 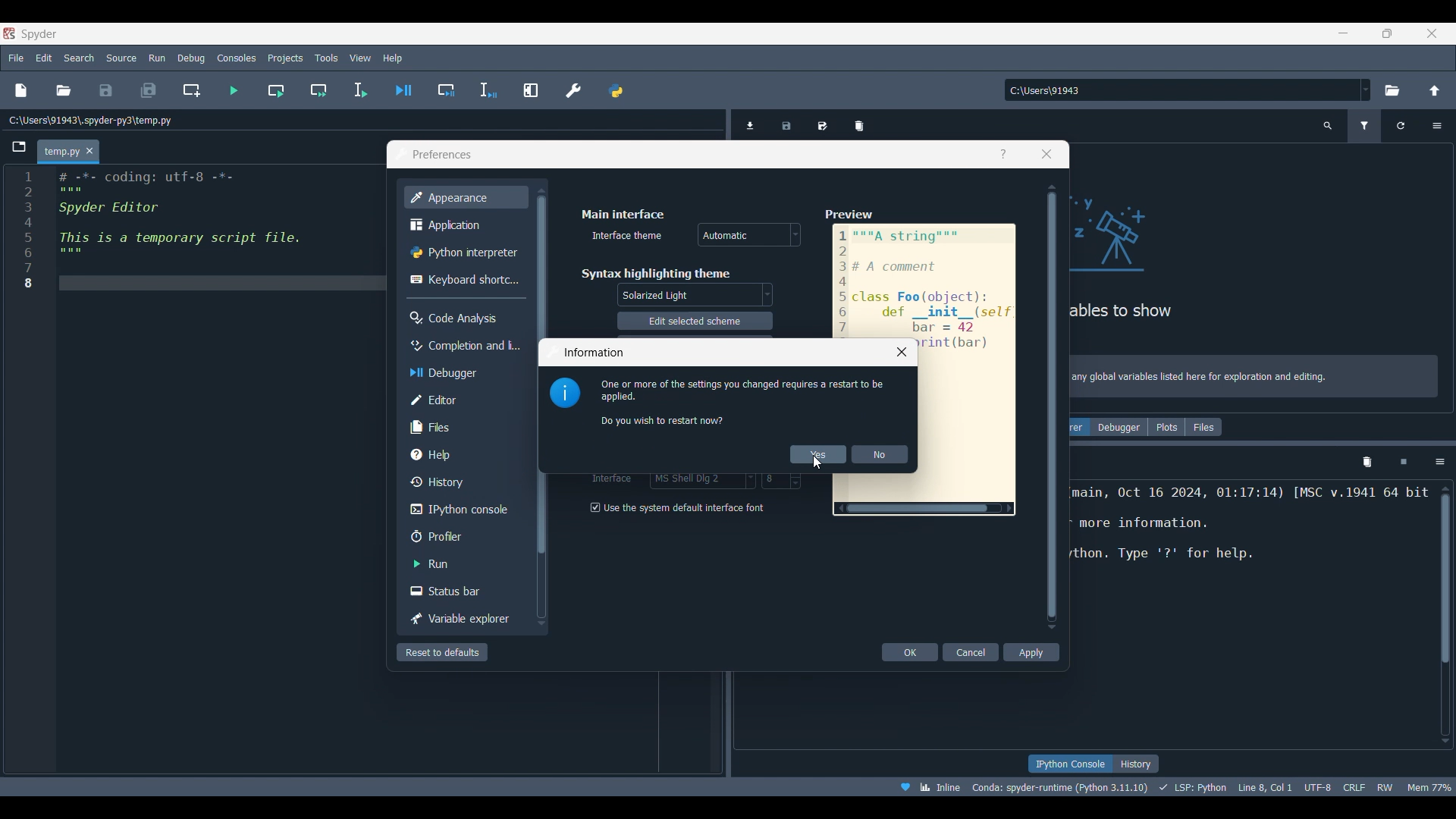 What do you see at coordinates (1046, 154) in the screenshot?
I see `Close` at bounding box center [1046, 154].